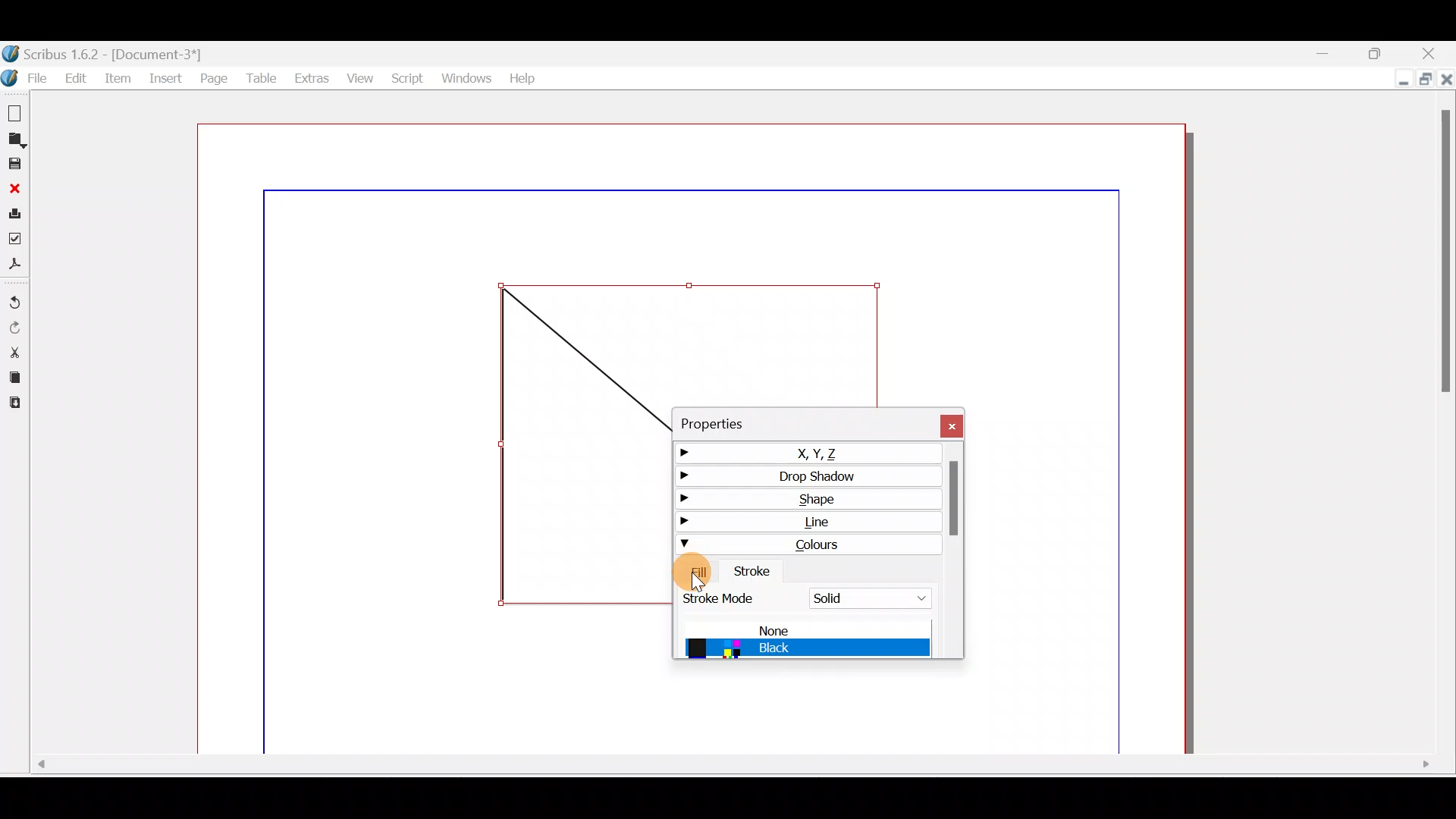 The width and height of the screenshot is (1456, 819). Describe the element at coordinates (808, 521) in the screenshot. I see `Line` at that location.